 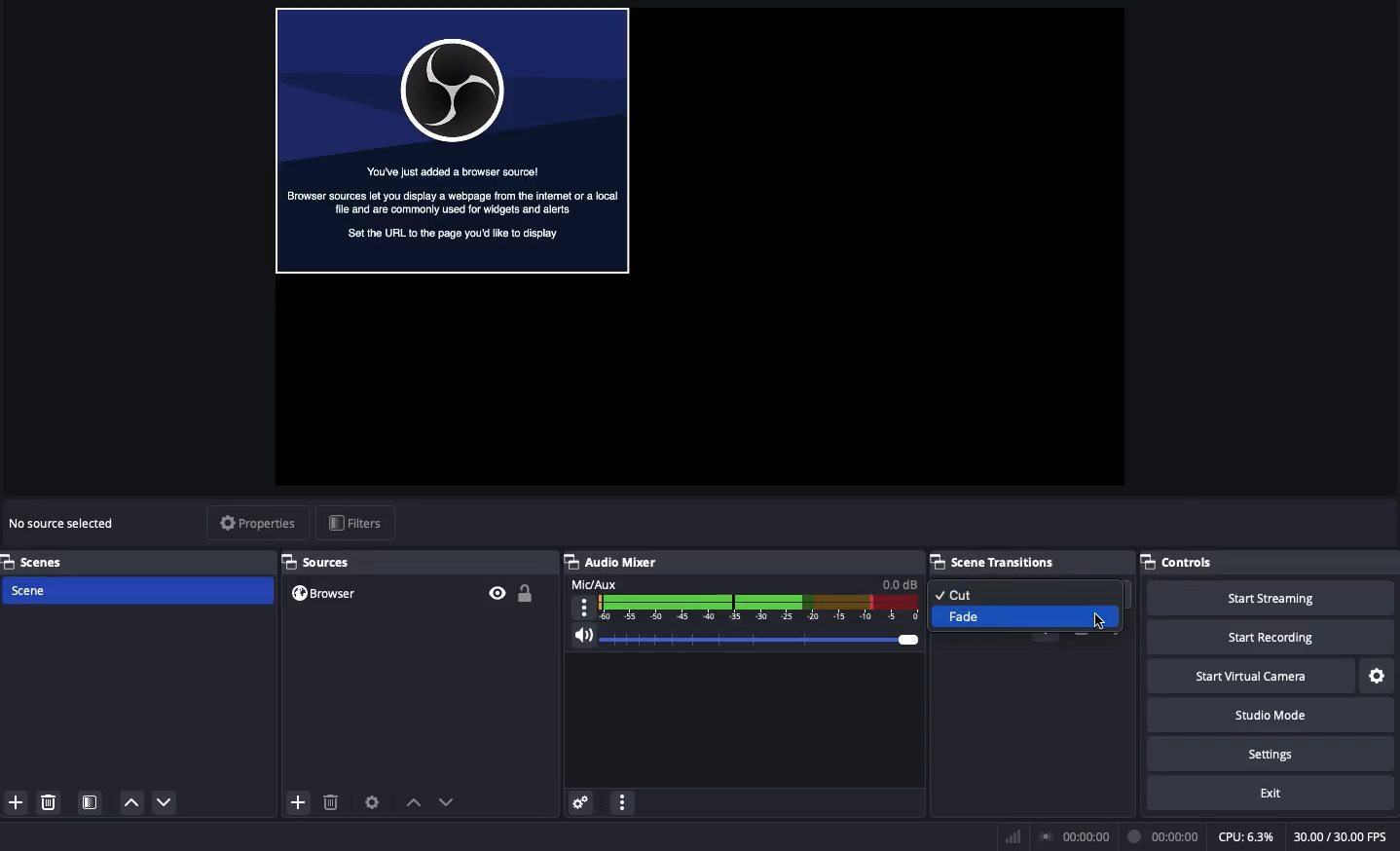 What do you see at coordinates (1102, 624) in the screenshot?
I see `cursor` at bounding box center [1102, 624].